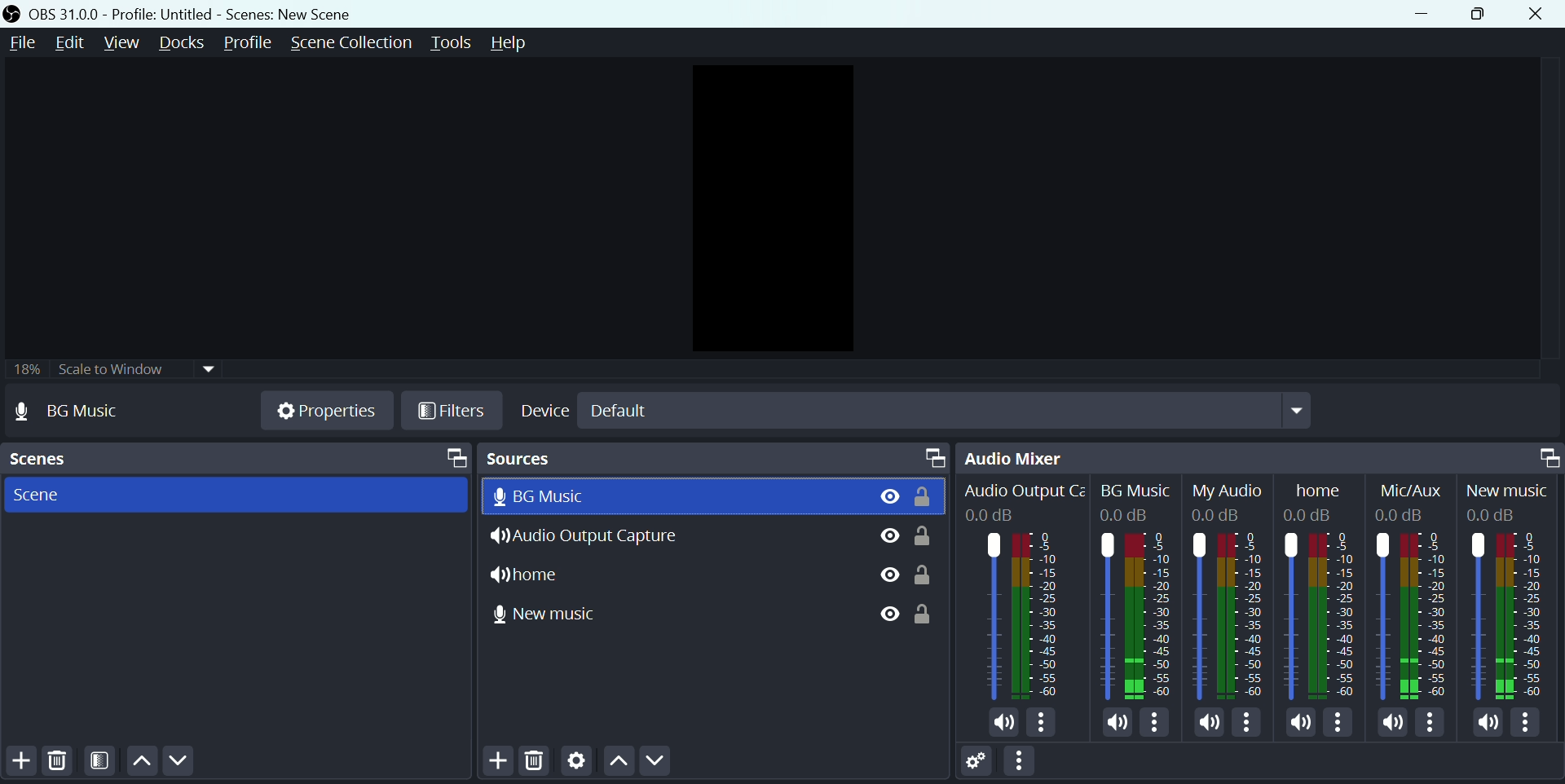  What do you see at coordinates (459, 42) in the screenshot?
I see `Tools` at bounding box center [459, 42].